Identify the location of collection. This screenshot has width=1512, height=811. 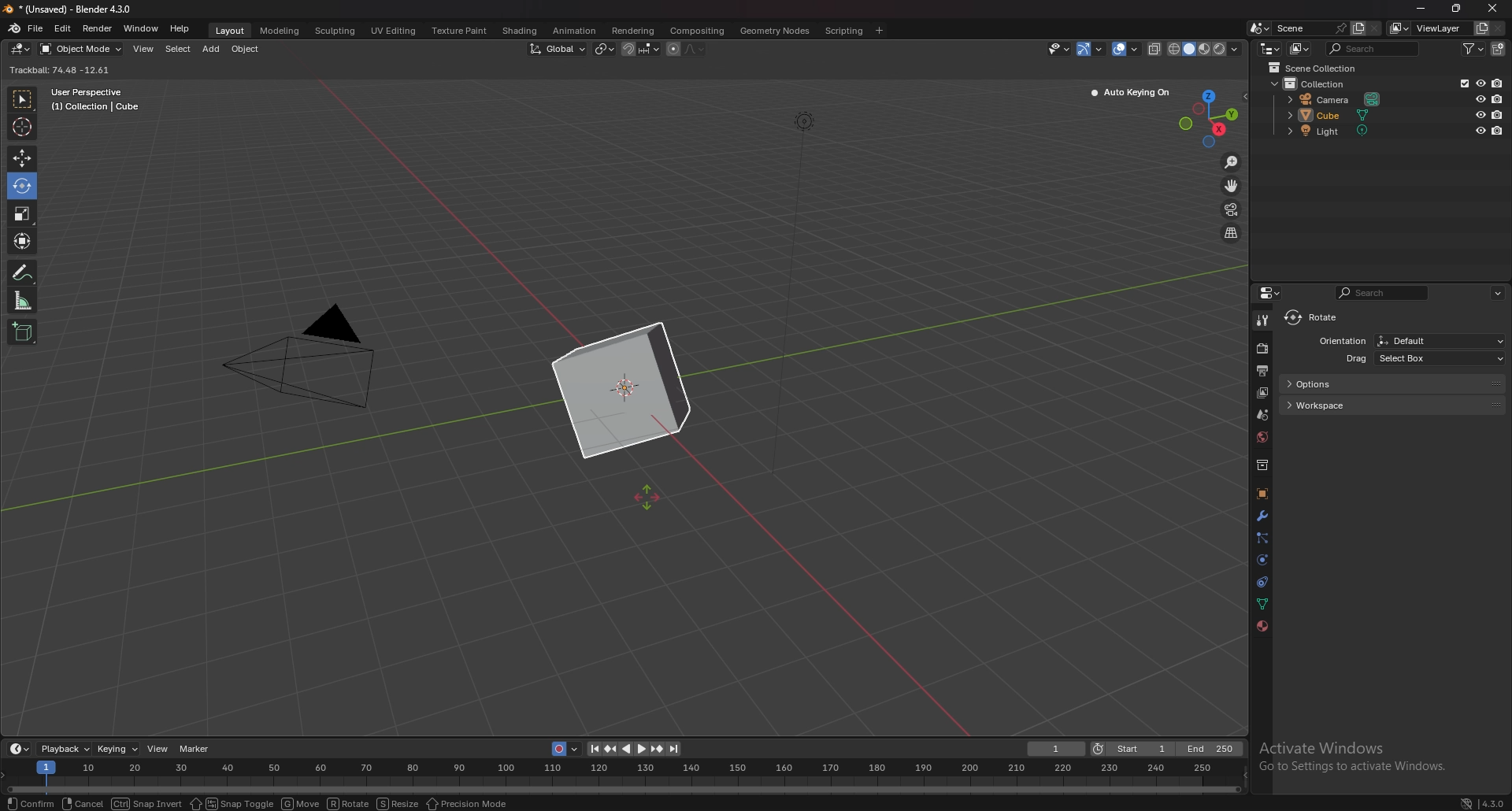
(1316, 83).